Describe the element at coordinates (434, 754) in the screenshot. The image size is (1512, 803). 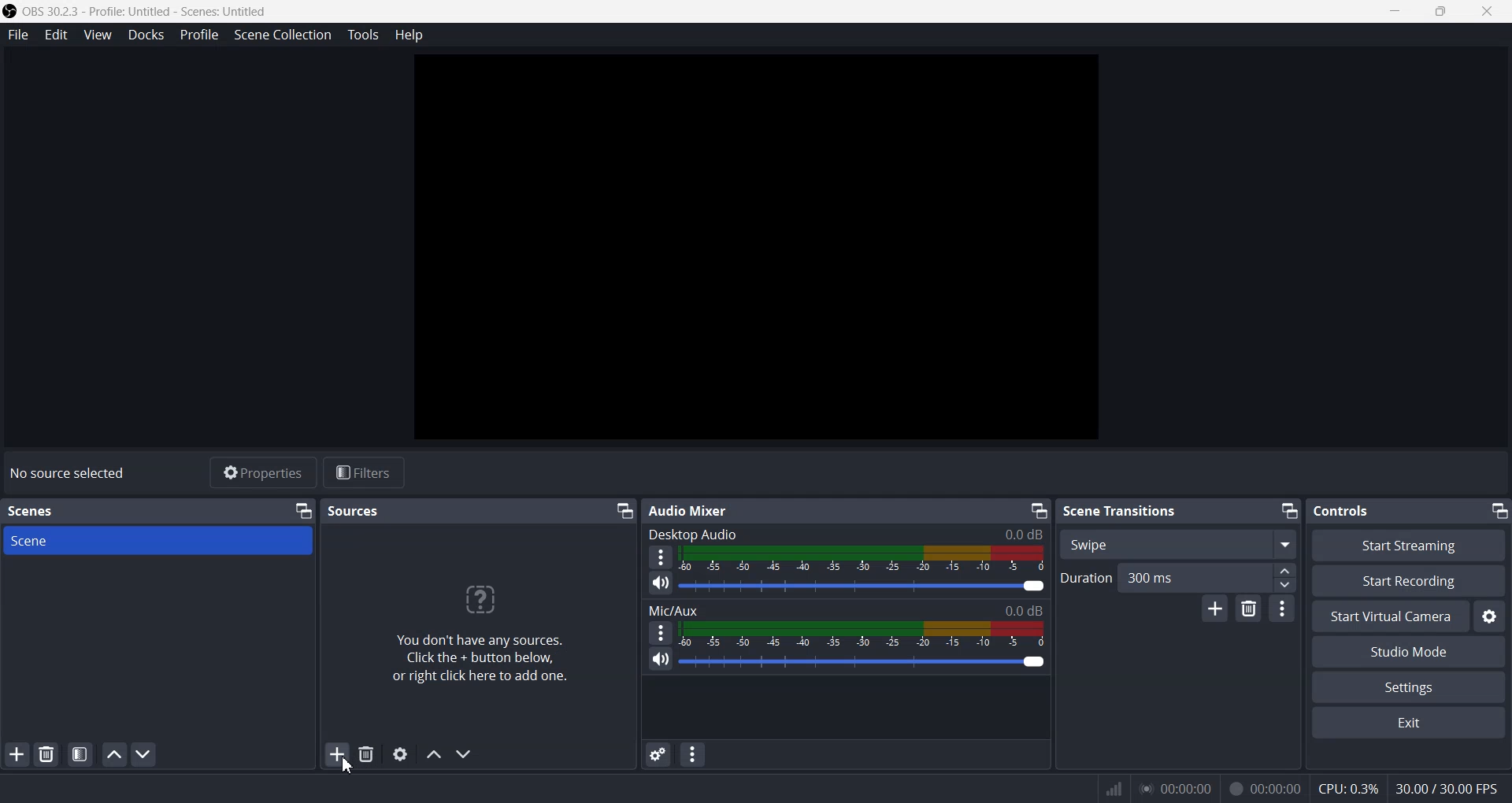
I see `Move source up` at that location.